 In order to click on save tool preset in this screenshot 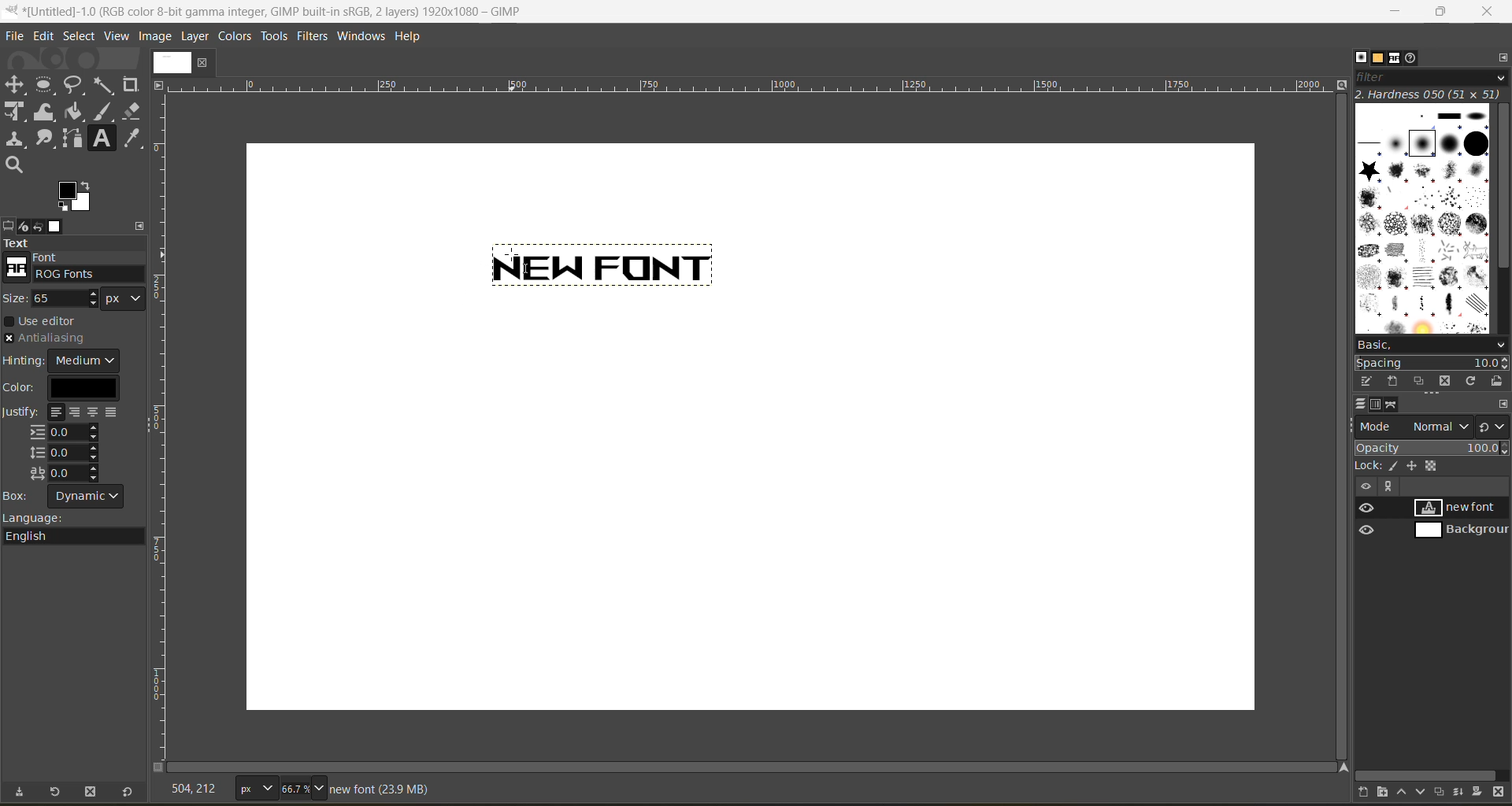, I will do `click(24, 790)`.